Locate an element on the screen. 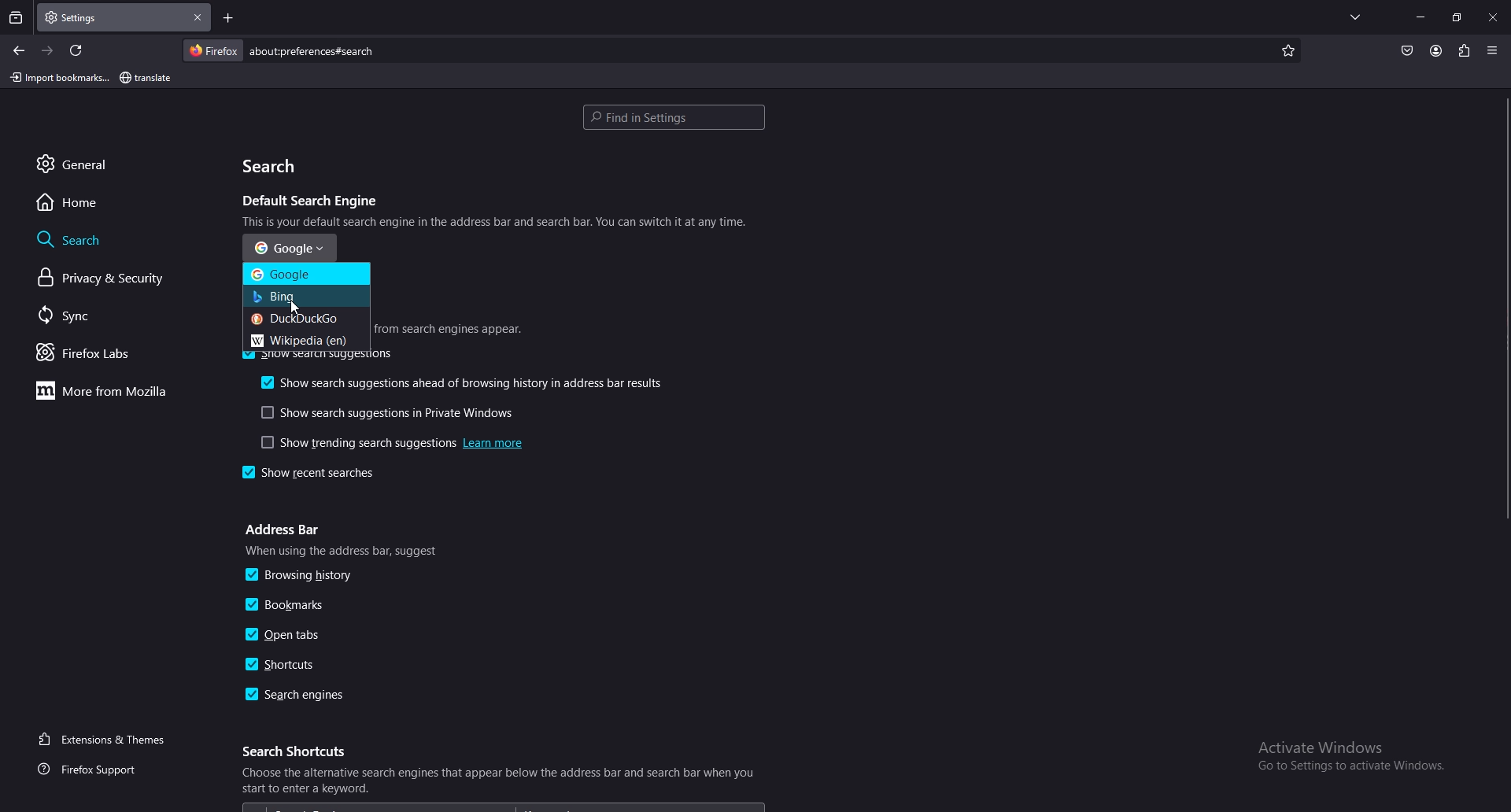 This screenshot has width=1511, height=812. bookmarks is located at coordinates (301, 605).